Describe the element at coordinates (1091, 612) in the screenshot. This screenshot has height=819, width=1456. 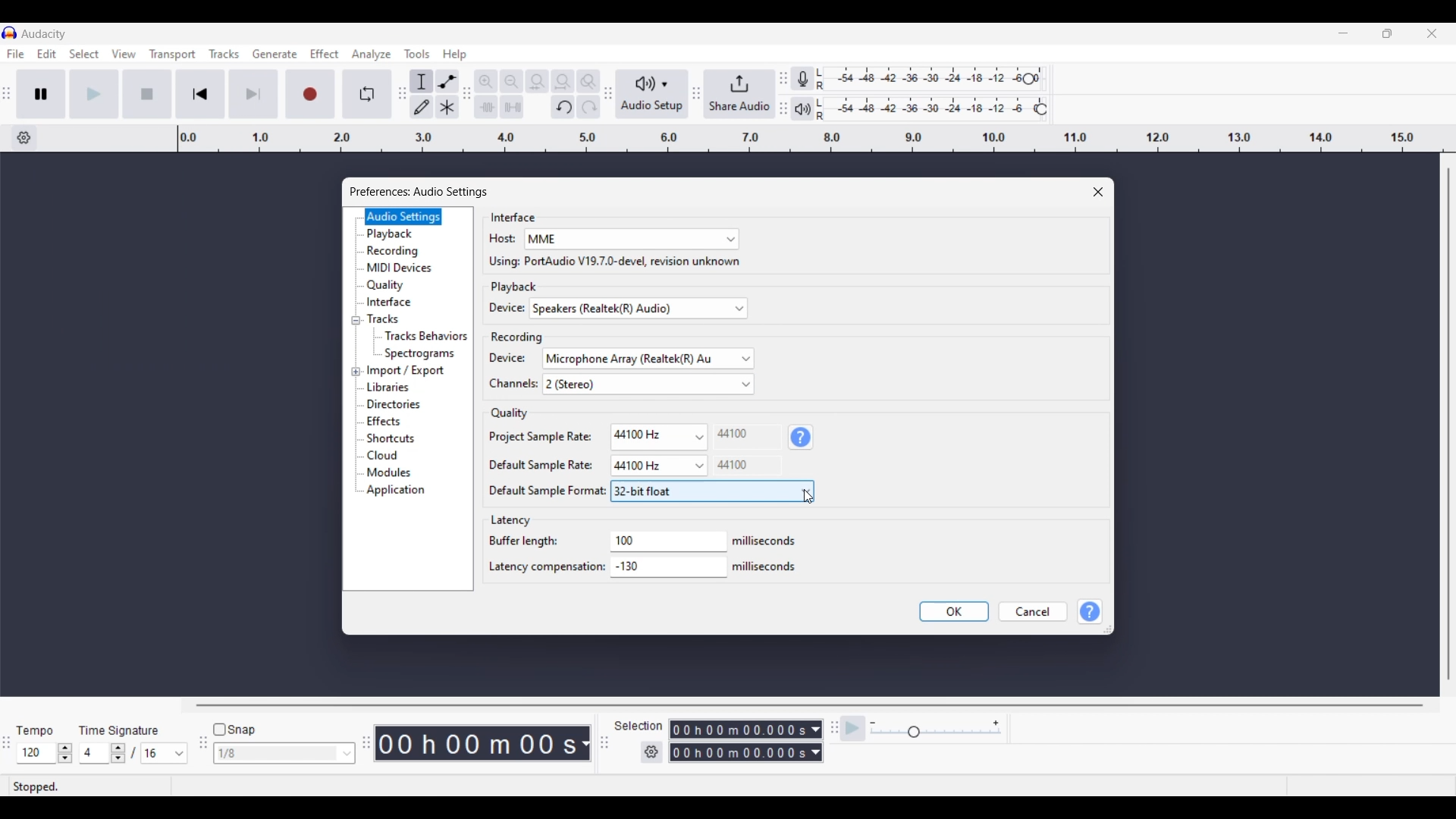
I see `Help` at that location.